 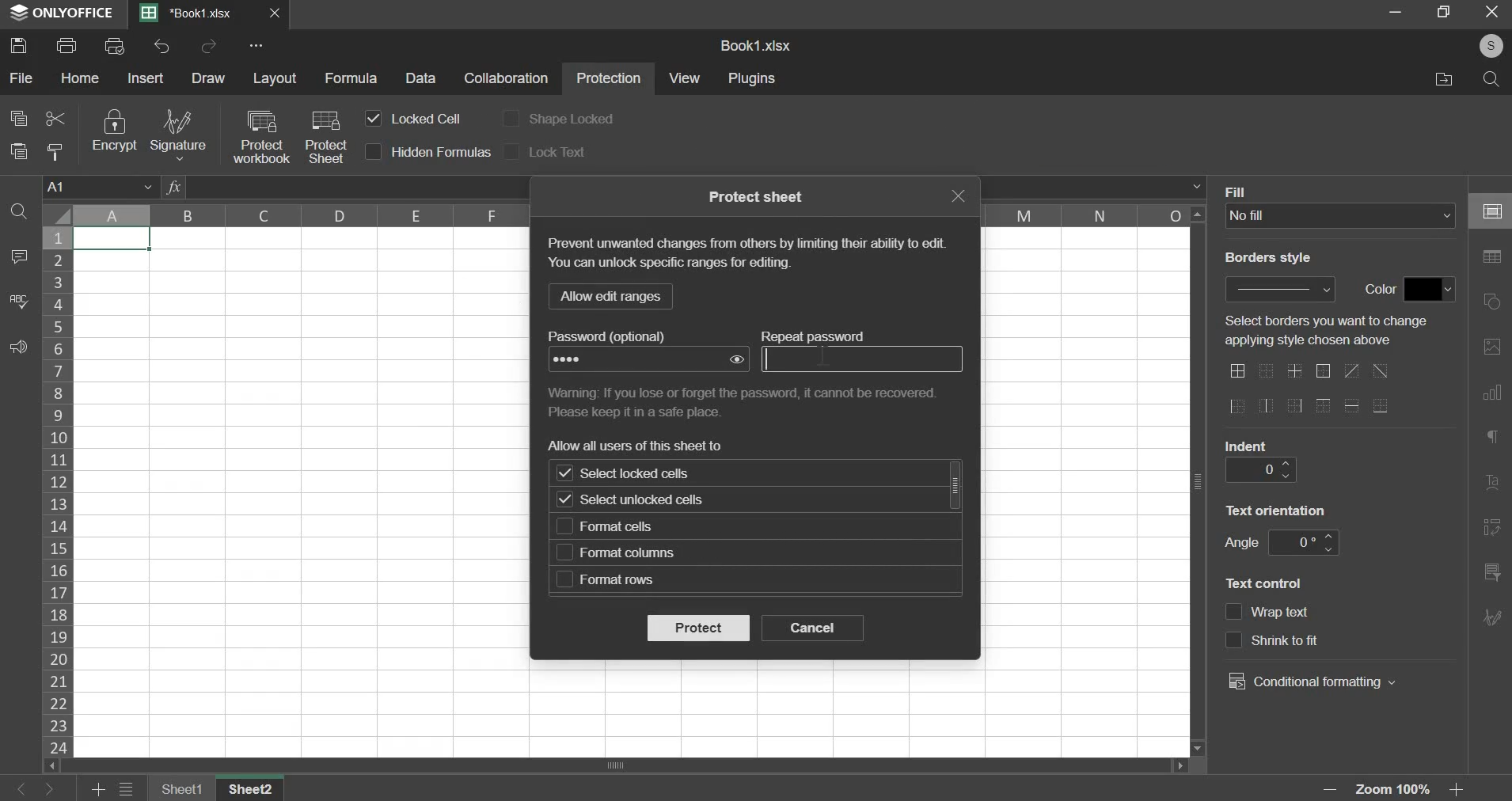 What do you see at coordinates (1237, 370) in the screenshot?
I see `border options` at bounding box center [1237, 370].